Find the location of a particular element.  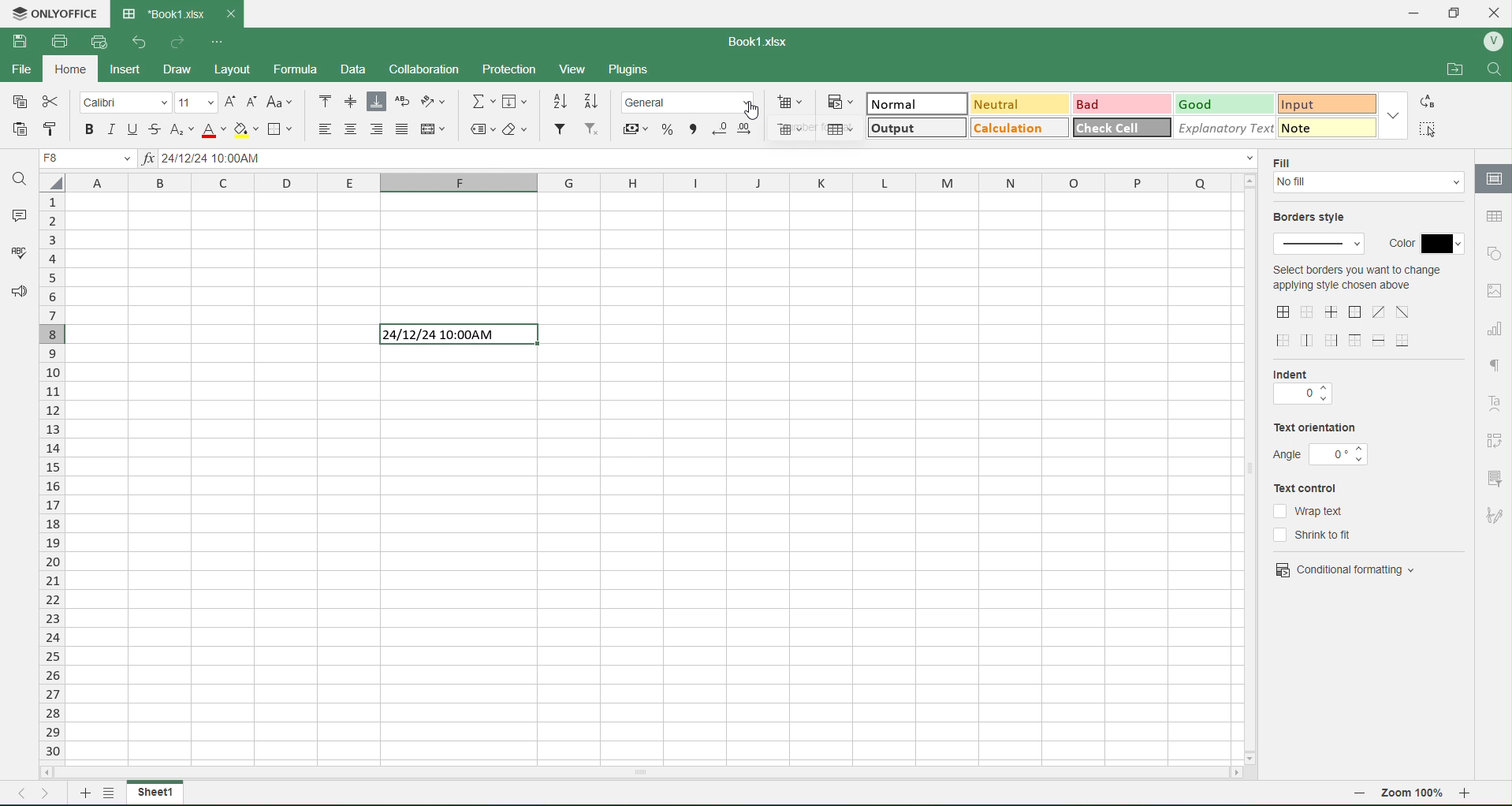

View is located at coordinates (580, 69).